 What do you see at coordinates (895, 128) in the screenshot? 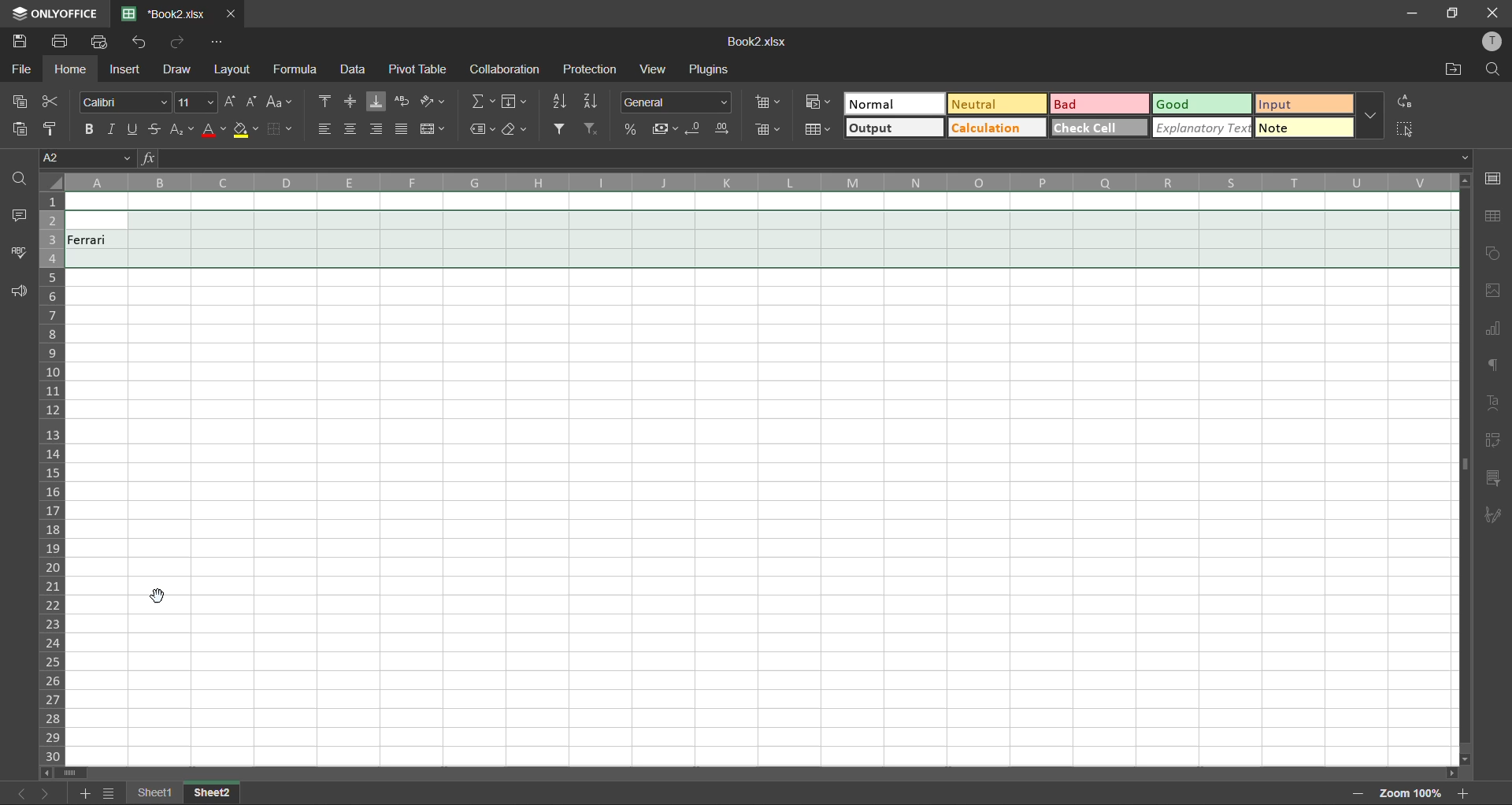
I see `output` at bounding box center [895, 128].